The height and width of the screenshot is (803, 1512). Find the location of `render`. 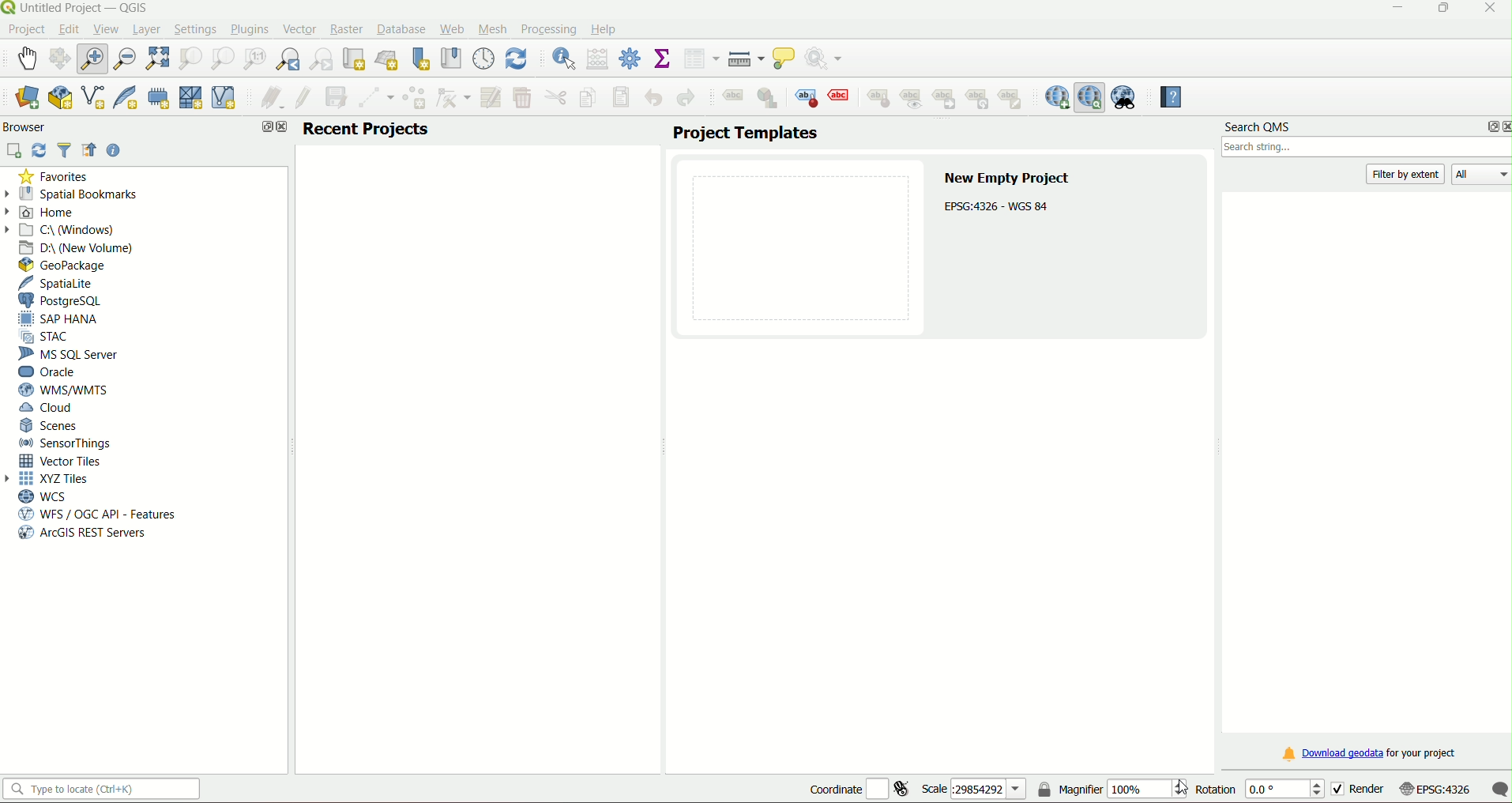

render is located at coordinates (1356, 789).